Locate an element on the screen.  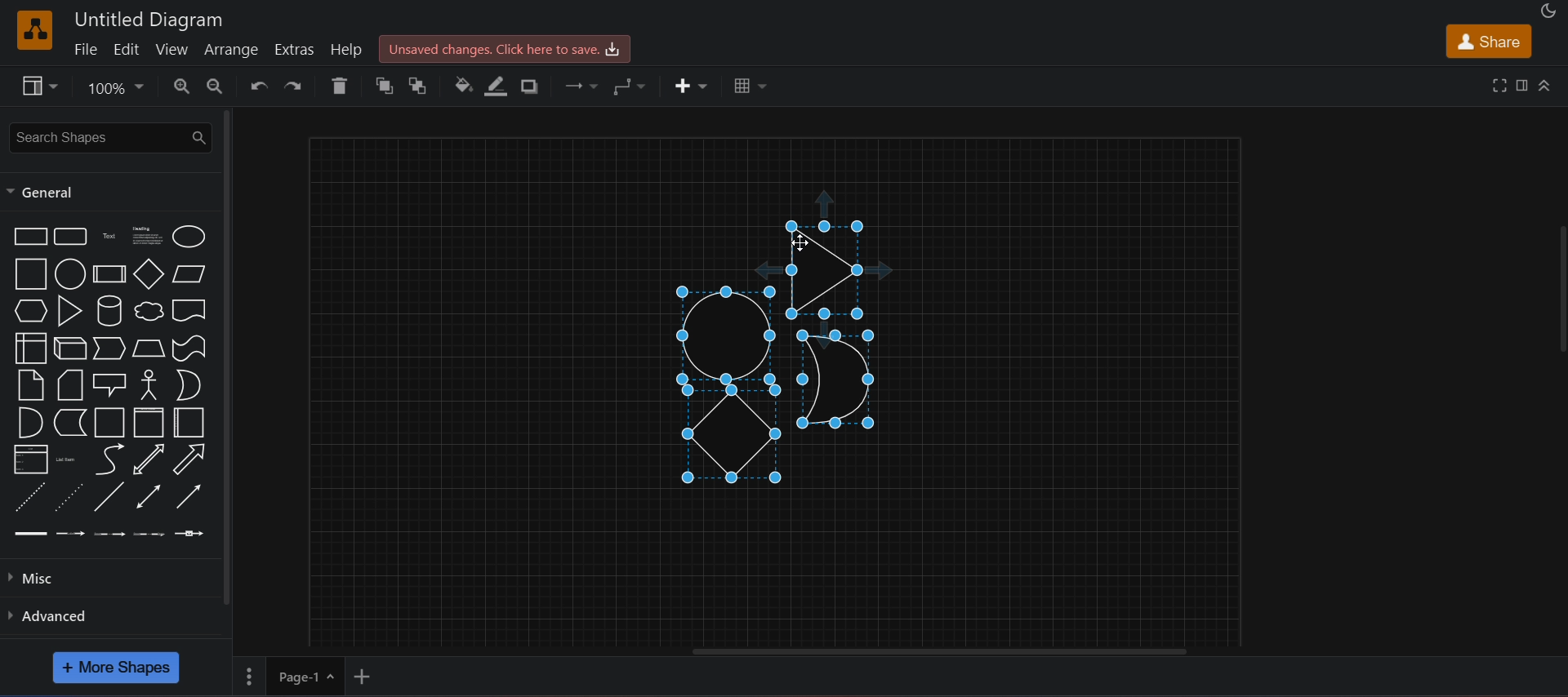
dashed line is located at coordinates (29, 496).